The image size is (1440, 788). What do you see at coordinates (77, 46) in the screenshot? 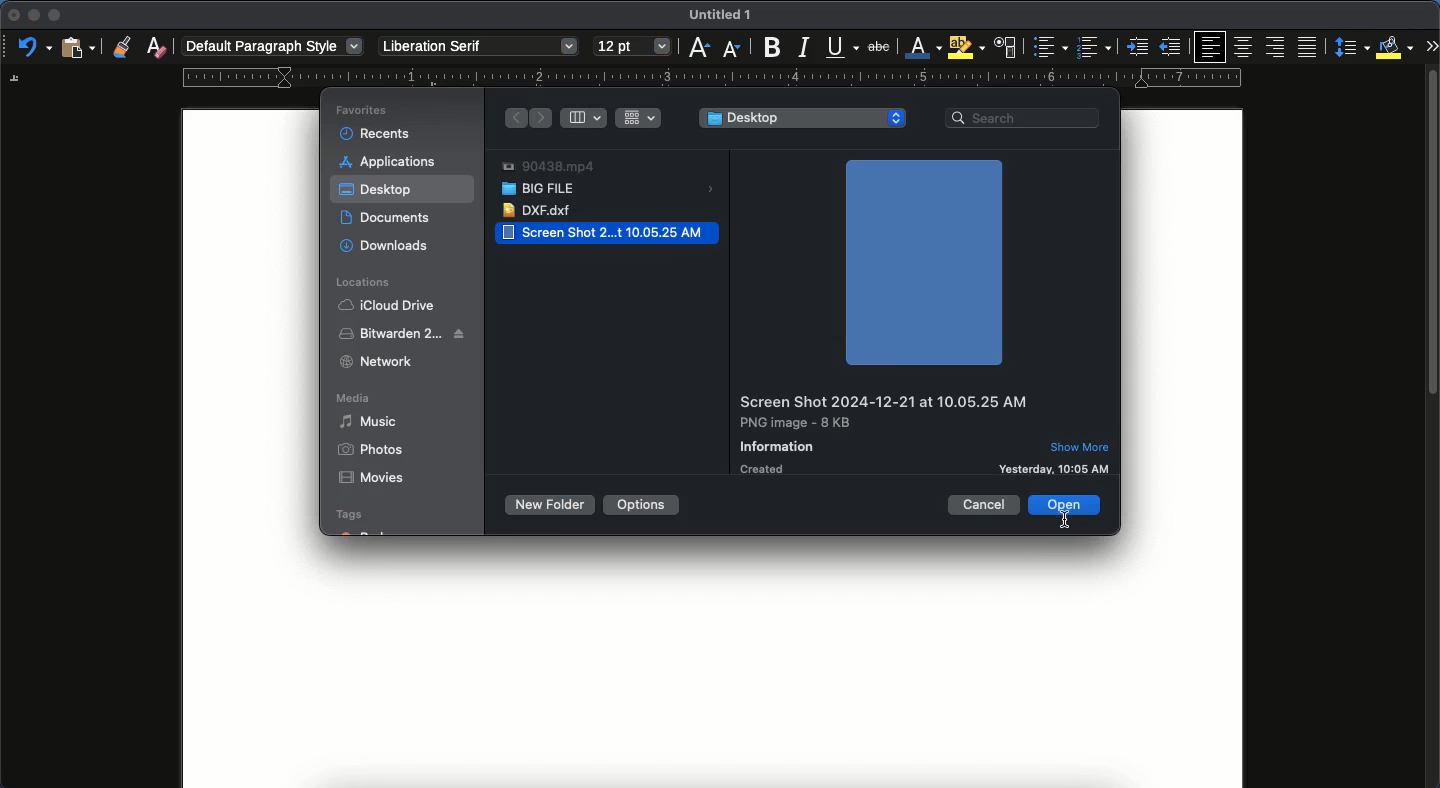
I see `paste` at bounding box center [77, 46].